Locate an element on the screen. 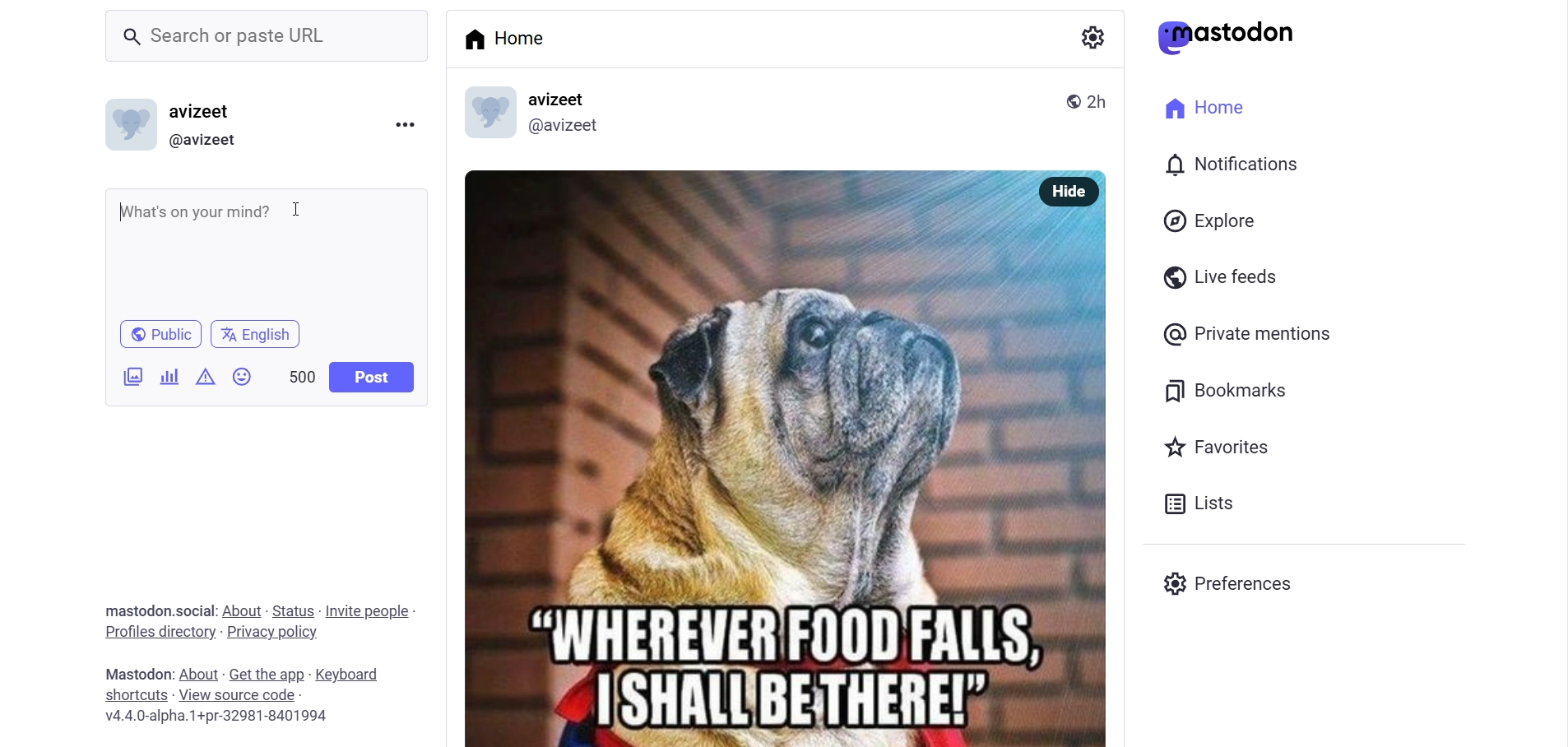 This screenshot has height=747, width=1568. Lists is located at coordinates (1205, 503).